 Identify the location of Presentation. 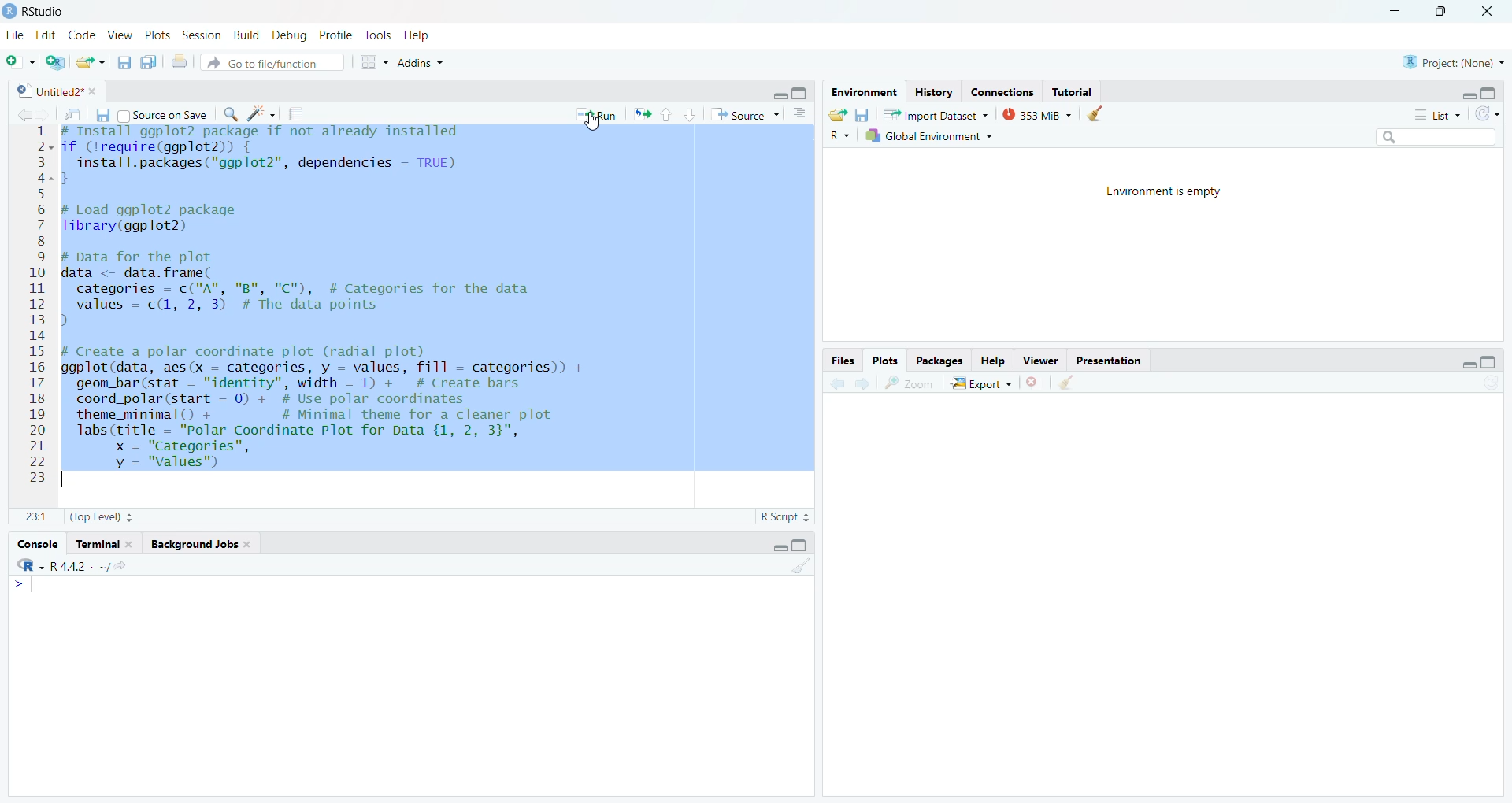
(1111, 361).